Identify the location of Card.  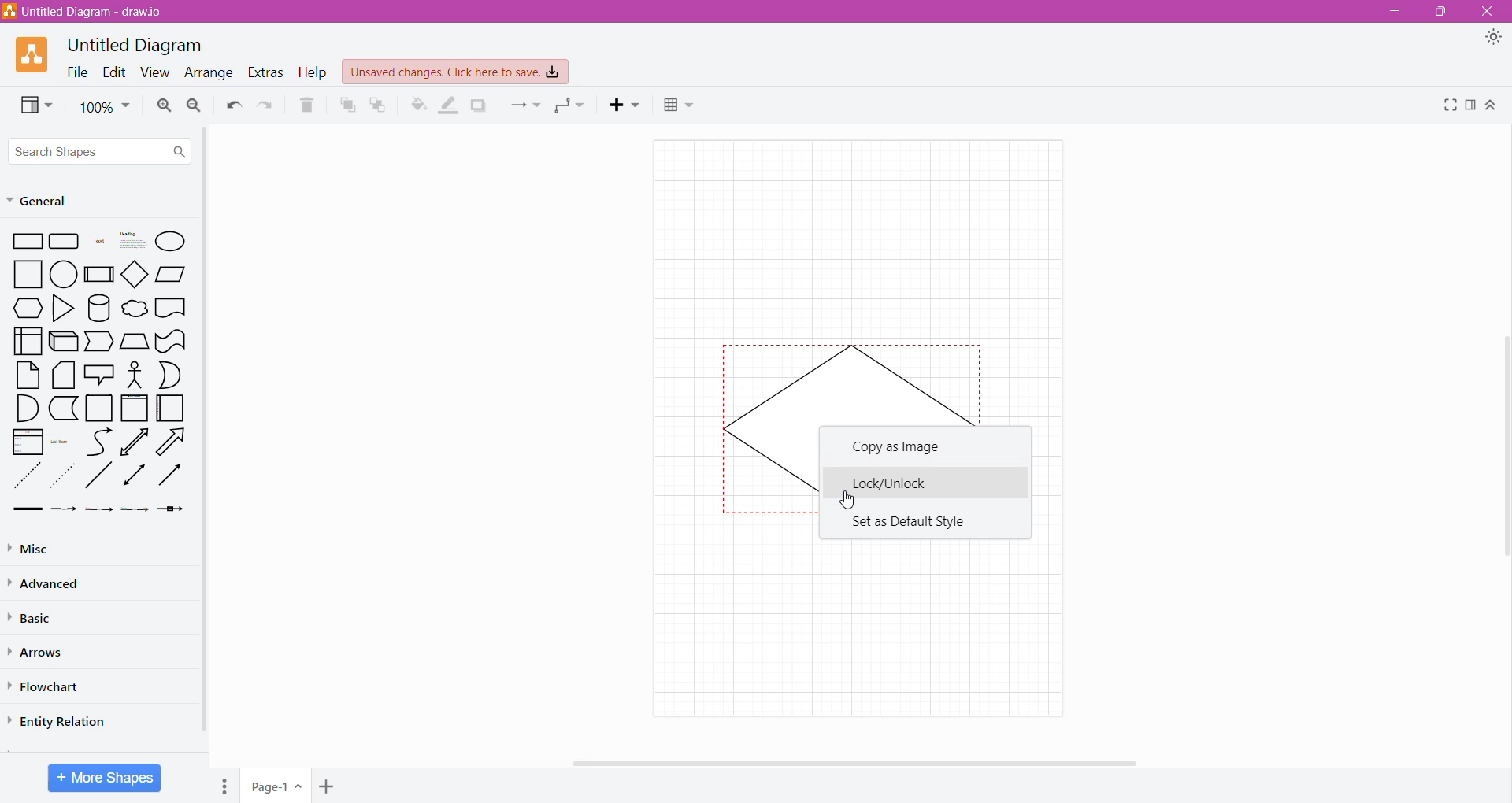
(61, 376).